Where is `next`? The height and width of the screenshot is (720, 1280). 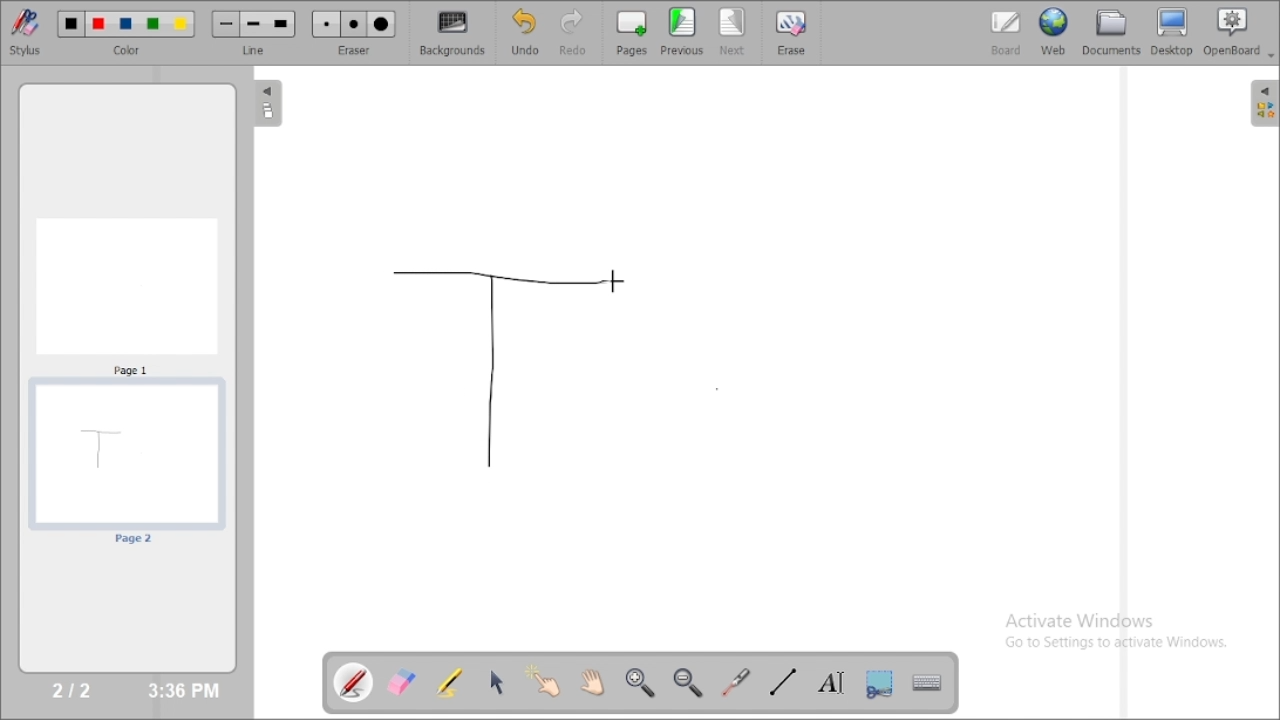 next is located at coordinates (733, 32).